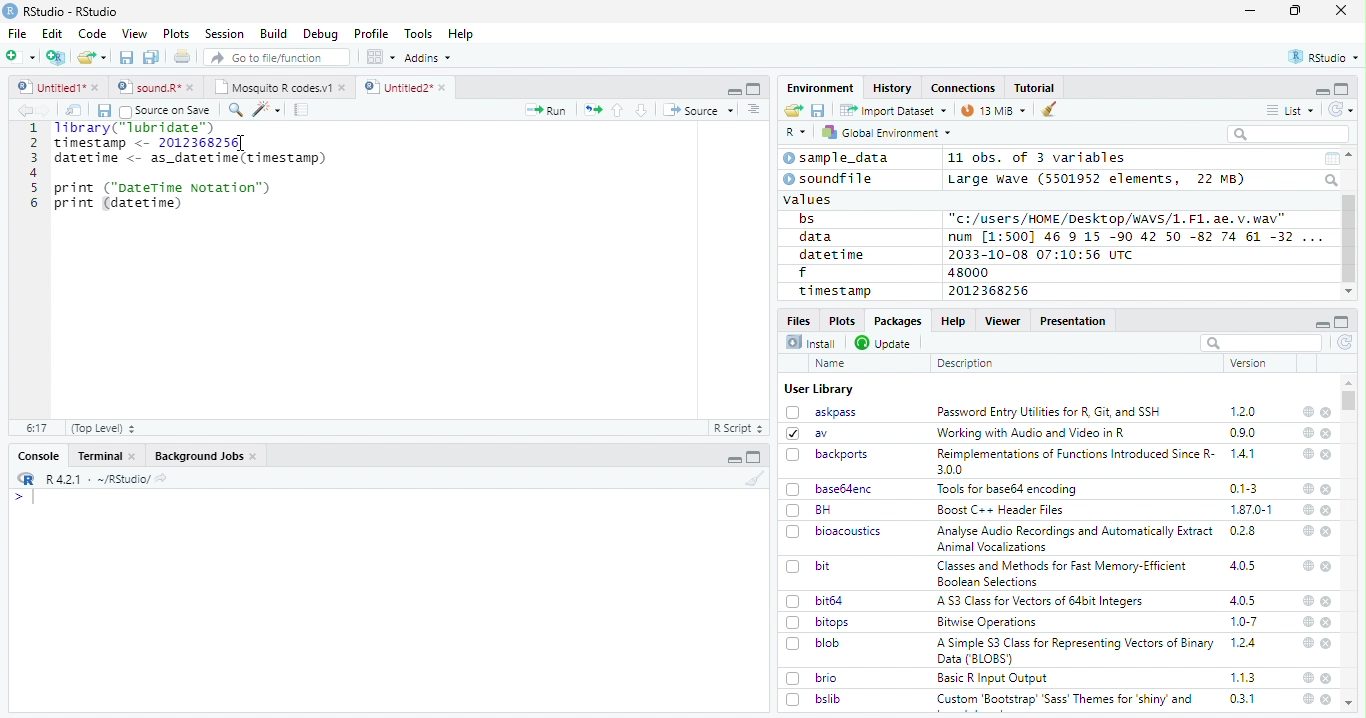 Image resolution: width=1366 pixels, height=718 pixels. I want to click on Global Environment, so click(888, 131).